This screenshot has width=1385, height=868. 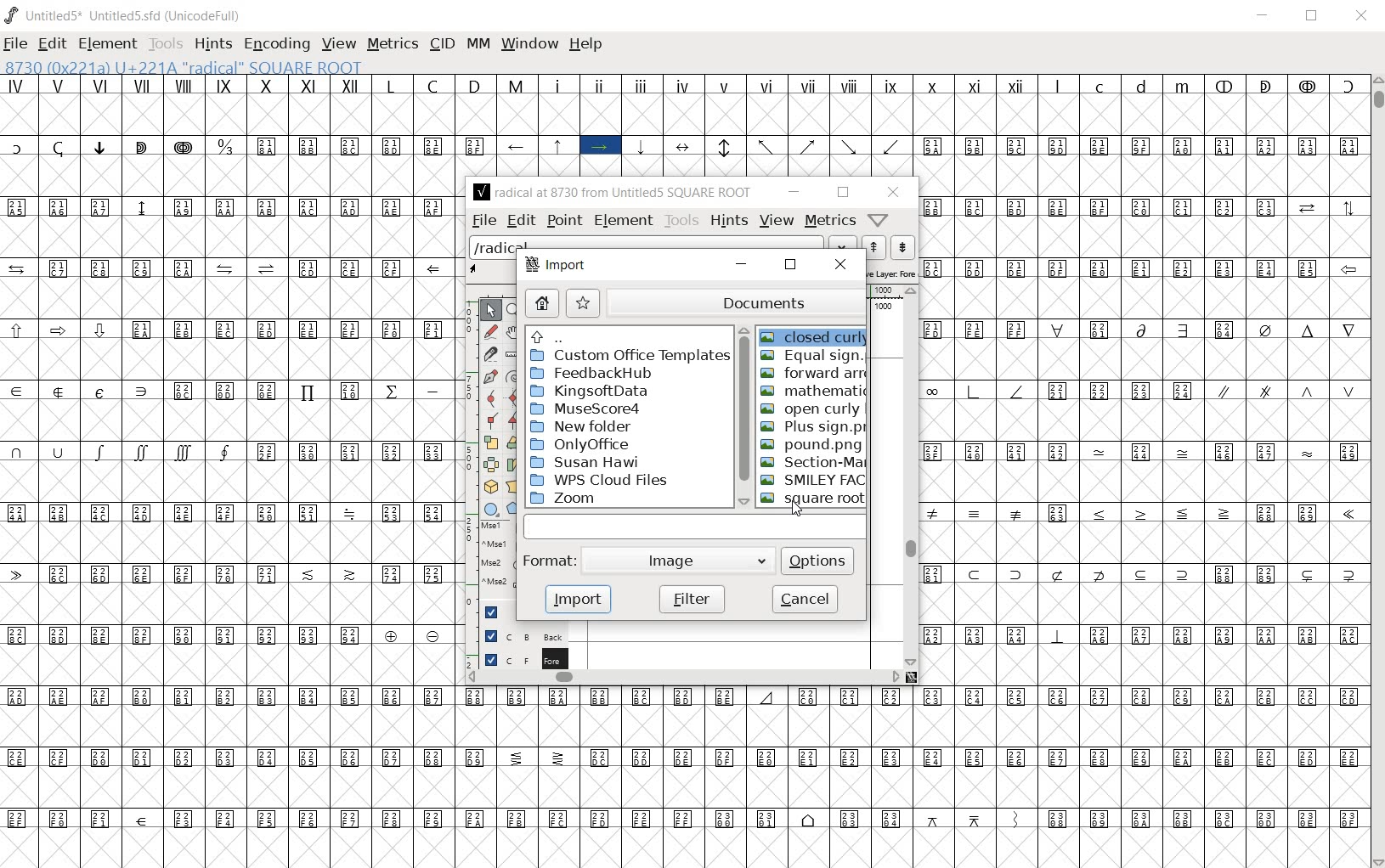 I want to click on edit, so click(x=520, y=221).